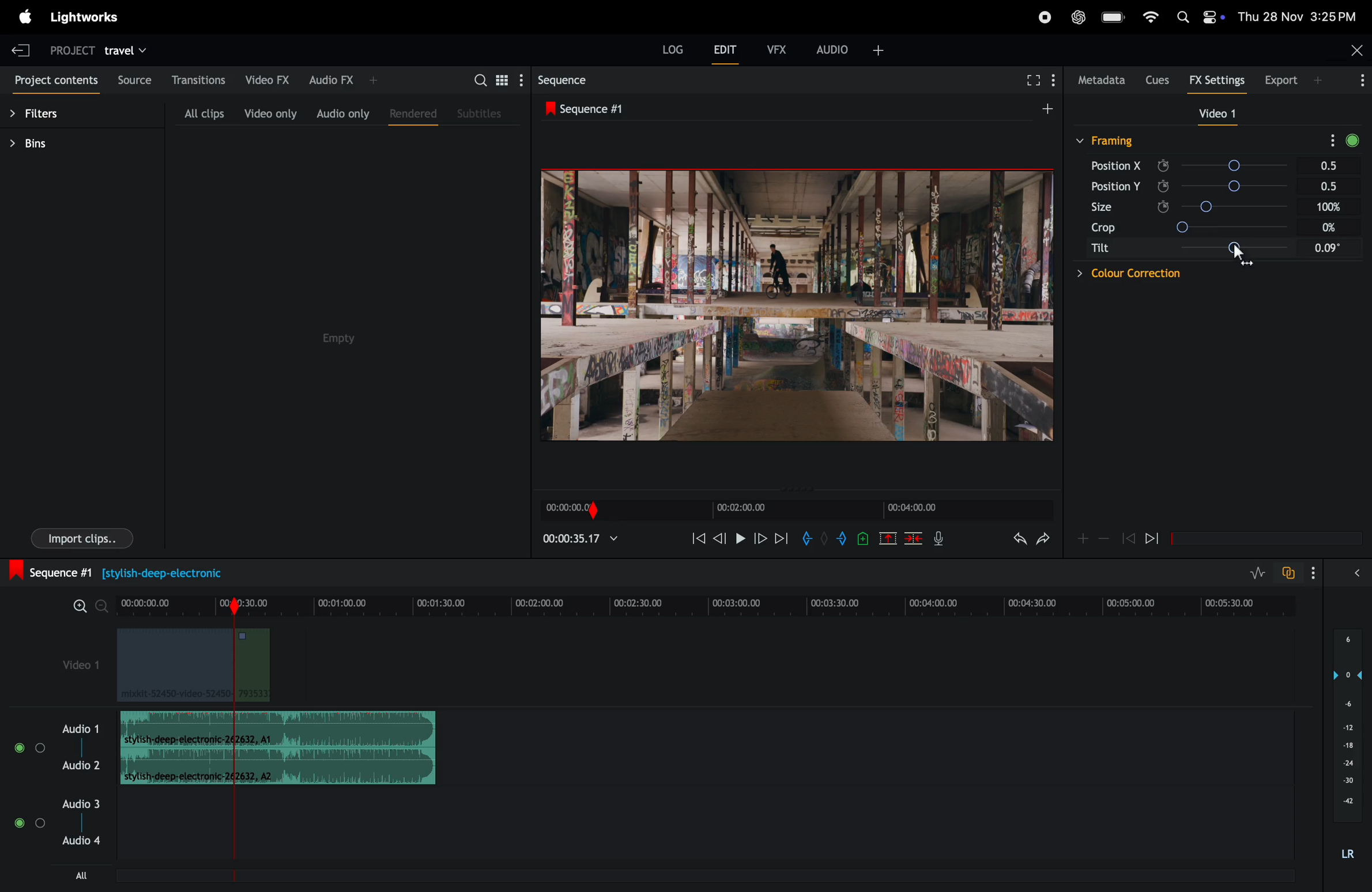 This screenshot has height=892, width=1372. Describe the element at coordinates (673, 48) in the screenshot. I see `log` at that location.